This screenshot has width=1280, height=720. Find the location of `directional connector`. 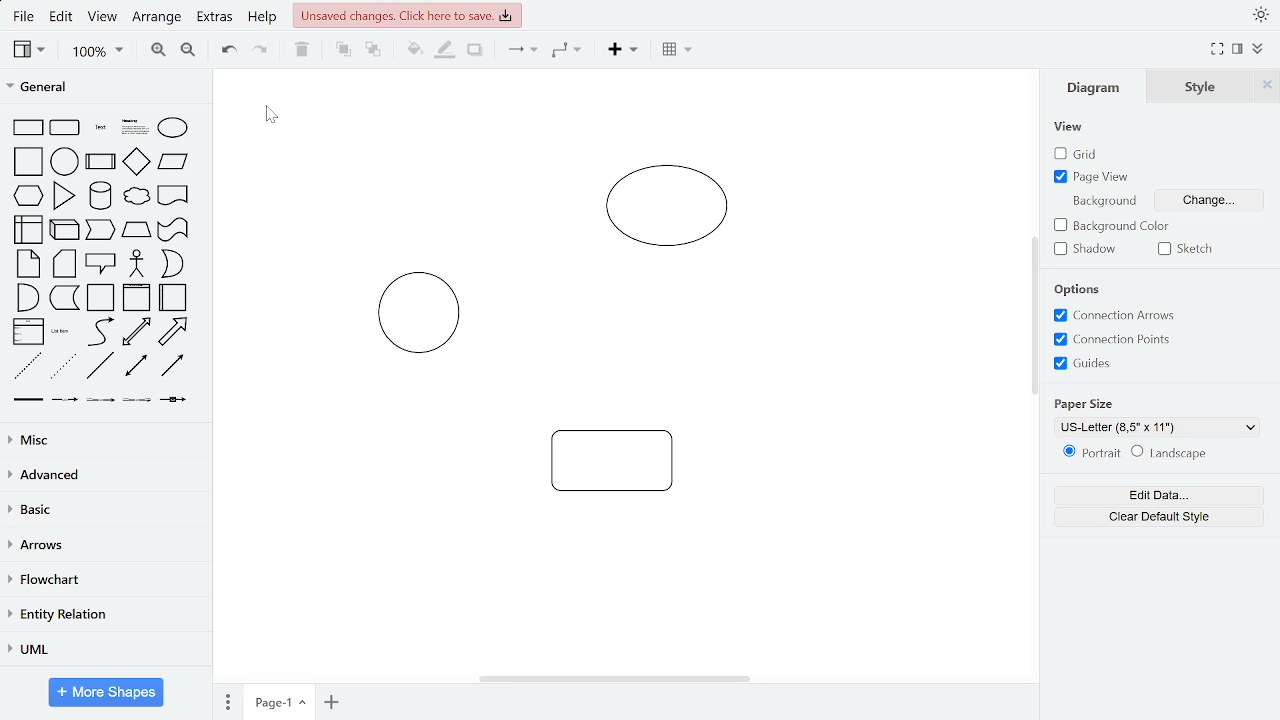

directional connector is located at coordinates (174, 367).